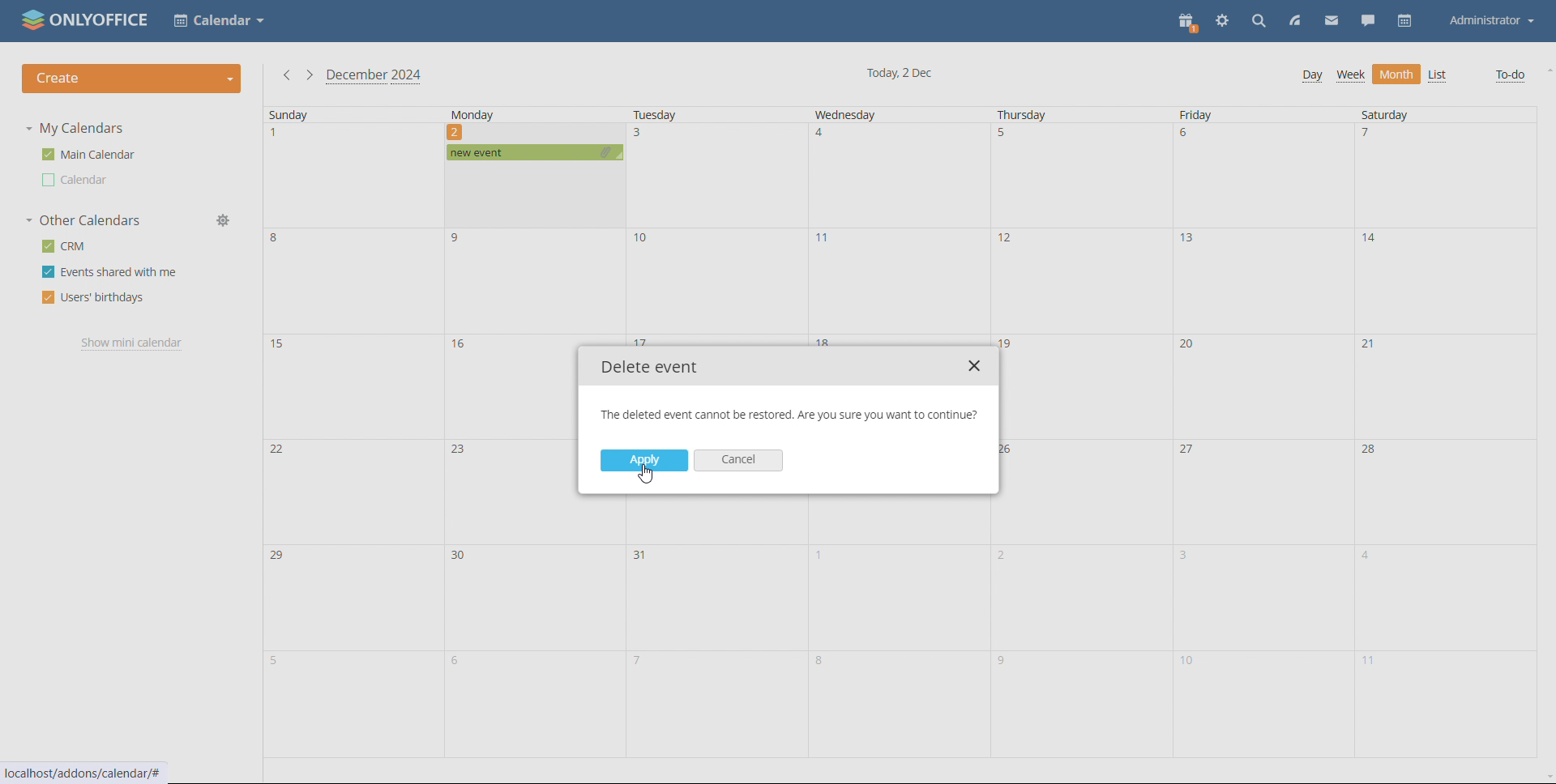 The image size is (1556, 784). What do you see at coordinates (1011, 349) in the screenshot?
I see `19` at bounding box center [1011, 349].